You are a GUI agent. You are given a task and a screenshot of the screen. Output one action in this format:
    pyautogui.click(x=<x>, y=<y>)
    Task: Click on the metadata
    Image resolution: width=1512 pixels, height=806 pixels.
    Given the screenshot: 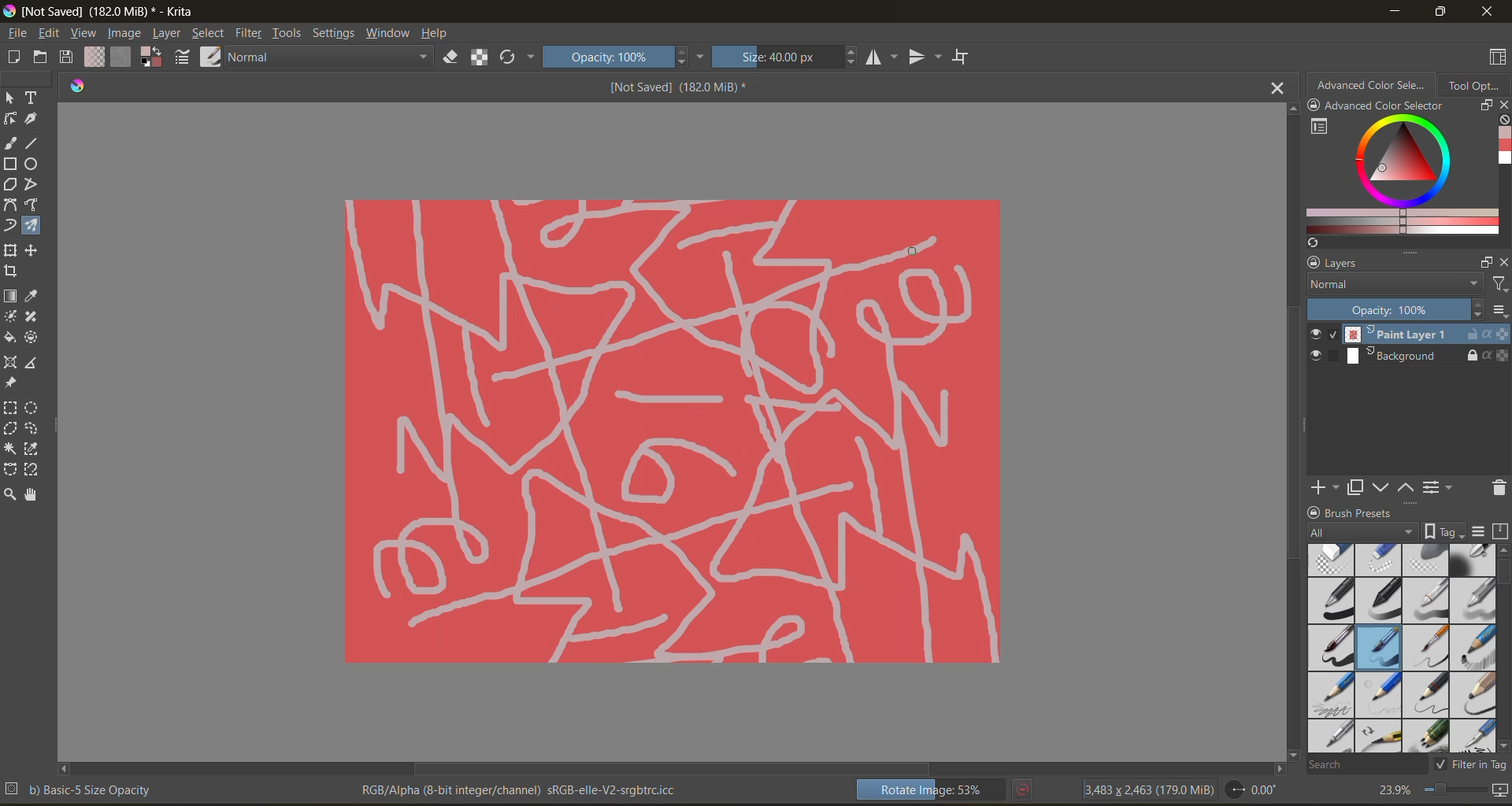 What is the action you would take?
    pyautogui.click(x=352, y=789)
    